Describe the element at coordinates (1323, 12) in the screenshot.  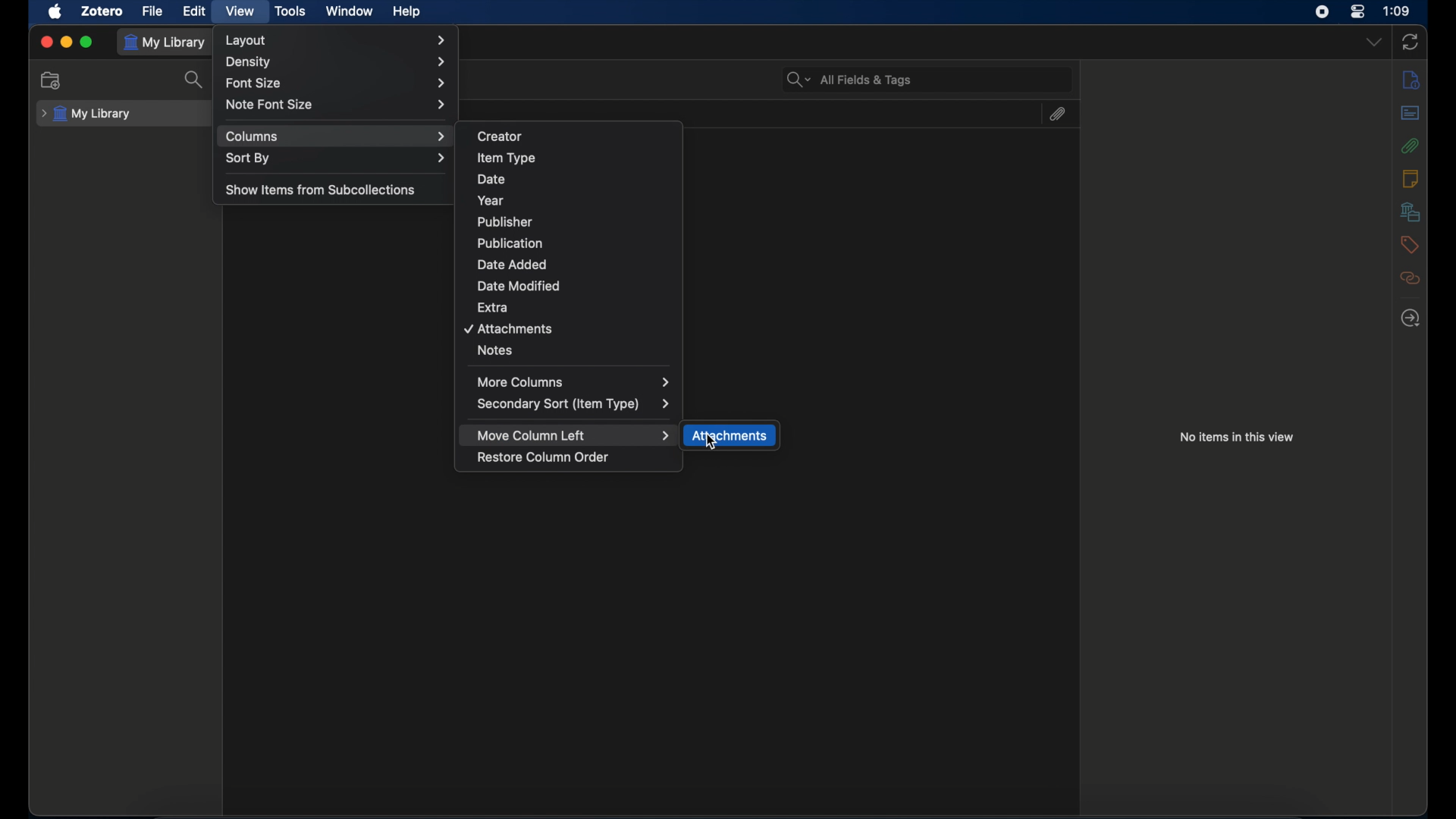
I see `screen recorder` at that location.